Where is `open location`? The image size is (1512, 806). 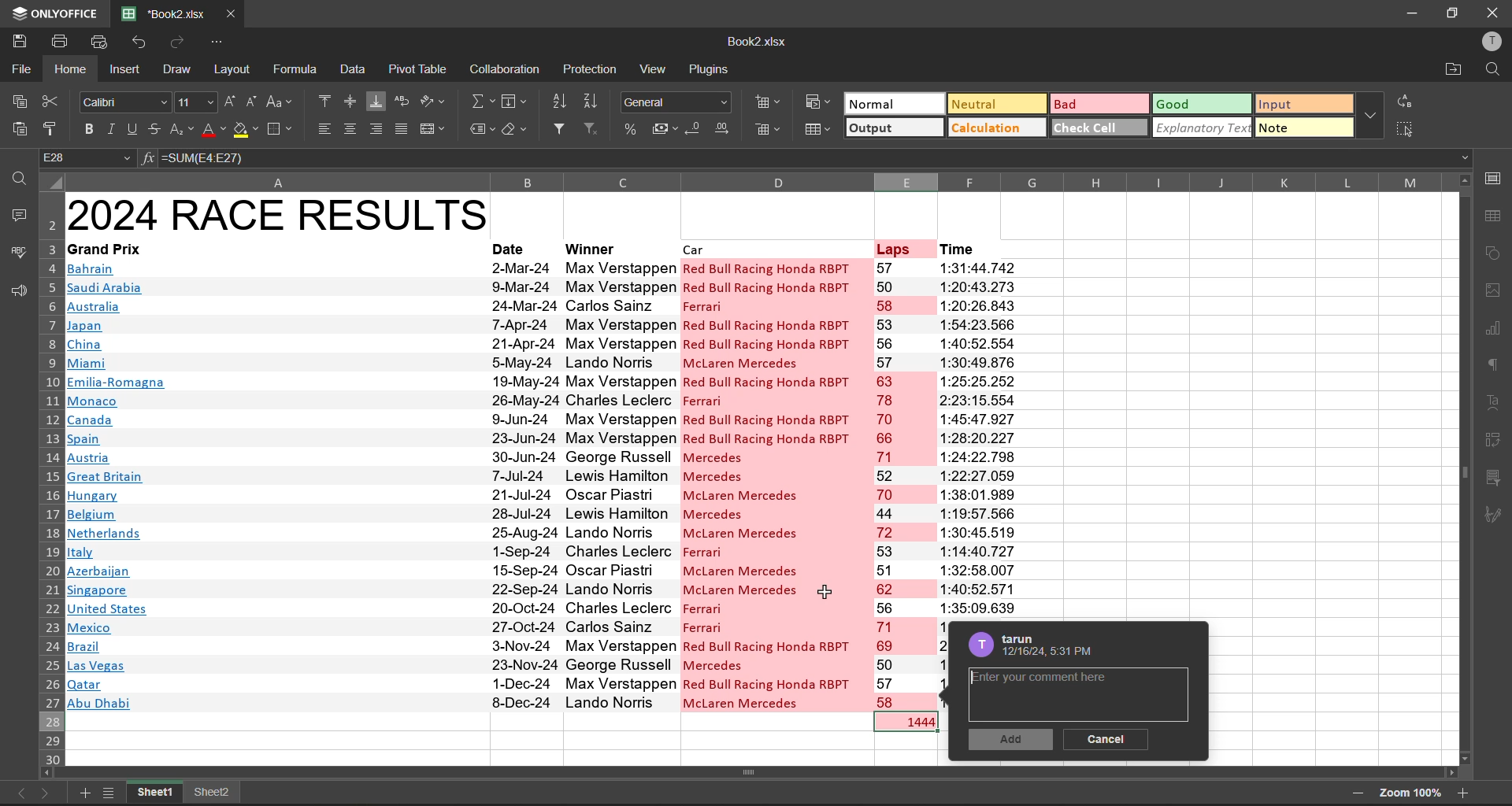 open location is located at coordinates (1455, 69).